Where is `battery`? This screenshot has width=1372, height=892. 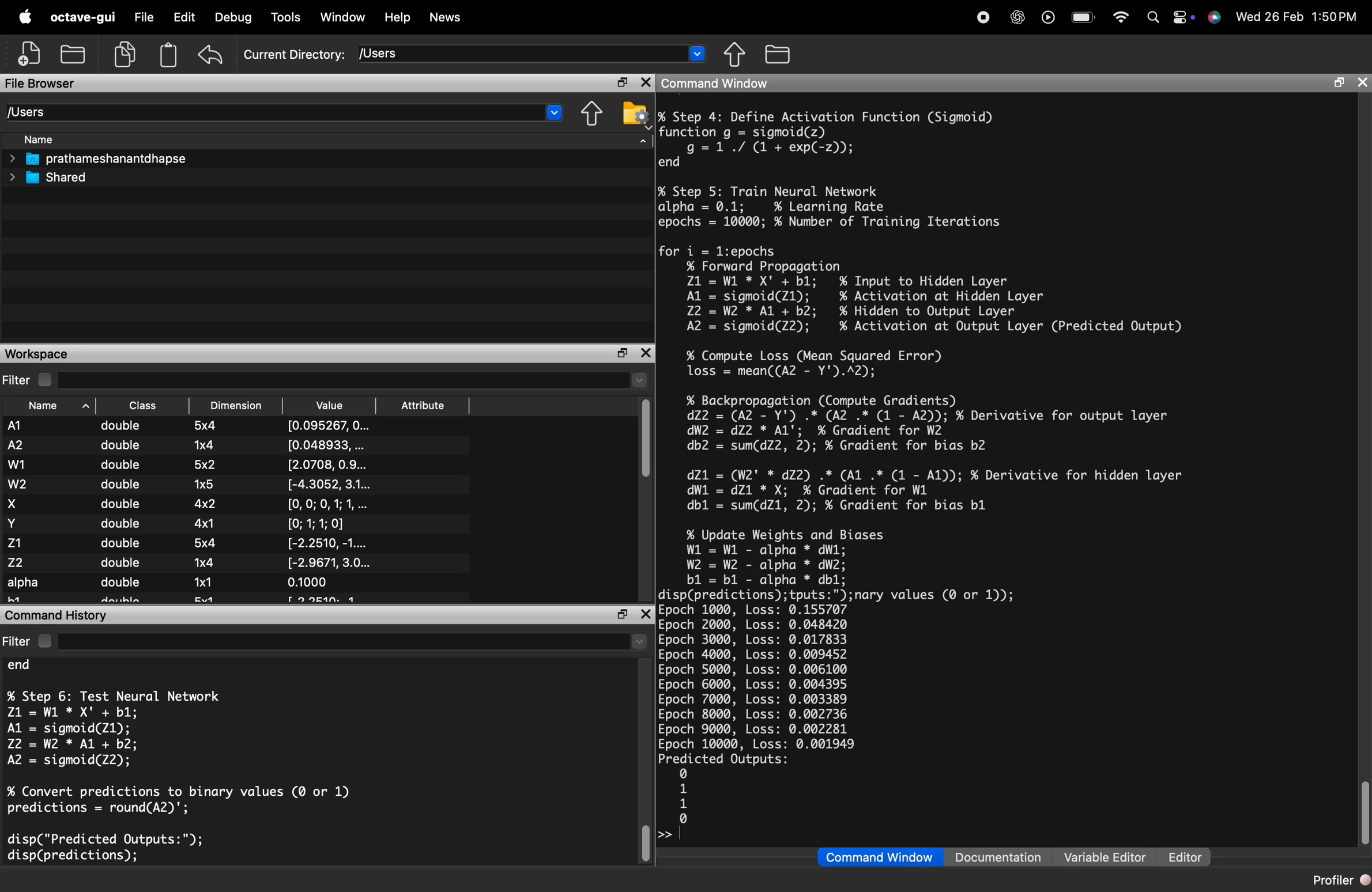
battery is located at coordinates (1083, 14).